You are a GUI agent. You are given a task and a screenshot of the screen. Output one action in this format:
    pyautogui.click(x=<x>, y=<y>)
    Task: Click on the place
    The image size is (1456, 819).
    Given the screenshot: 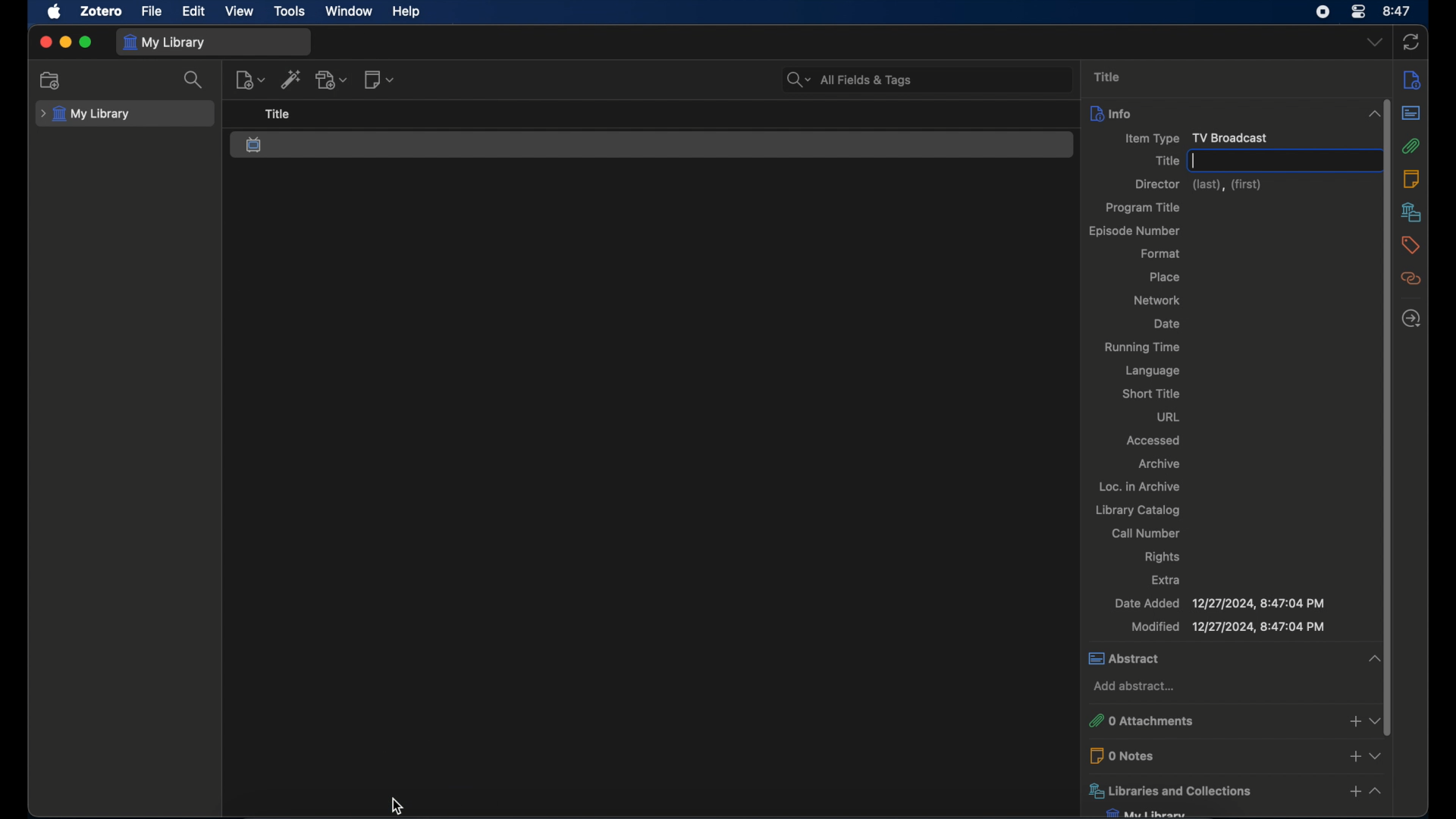 What is the action you would take?
    pyautogui.click(x=1165, y=277)
    